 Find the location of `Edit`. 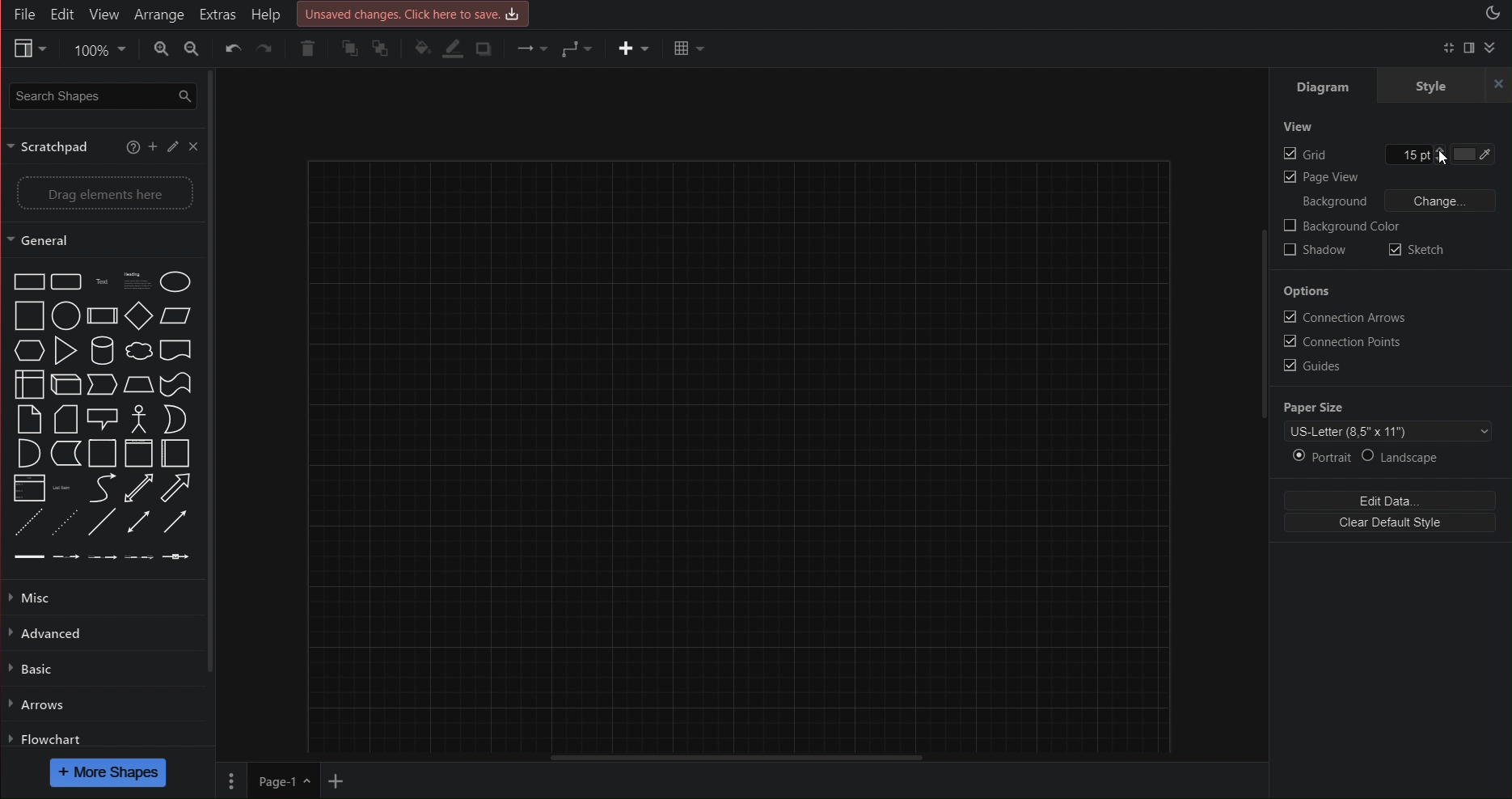

Edit is located at coordinates (172, 149).